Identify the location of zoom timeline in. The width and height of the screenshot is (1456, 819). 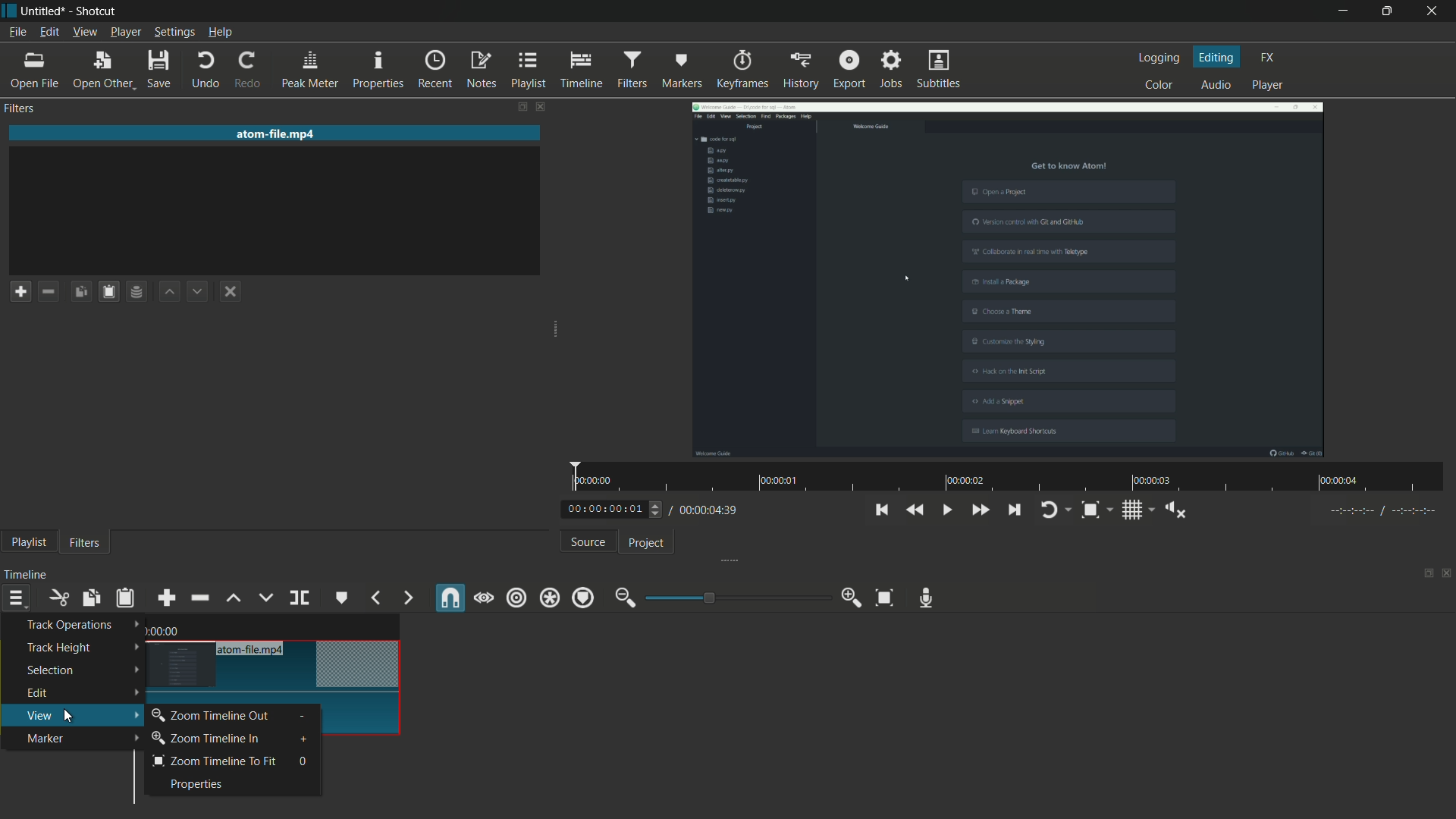
(212, 740).